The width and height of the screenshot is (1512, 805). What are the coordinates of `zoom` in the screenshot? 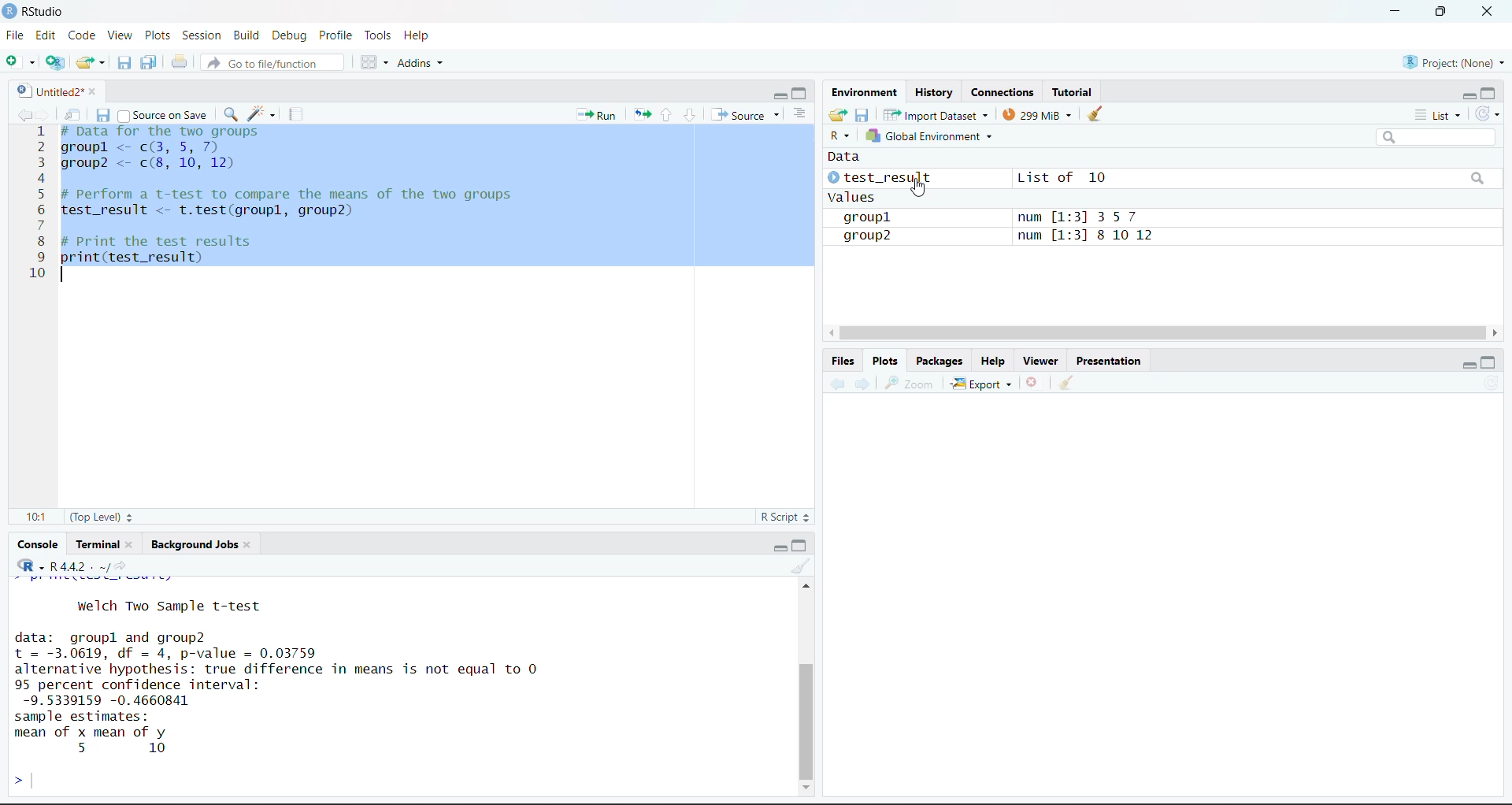 It's located at (907, 382).